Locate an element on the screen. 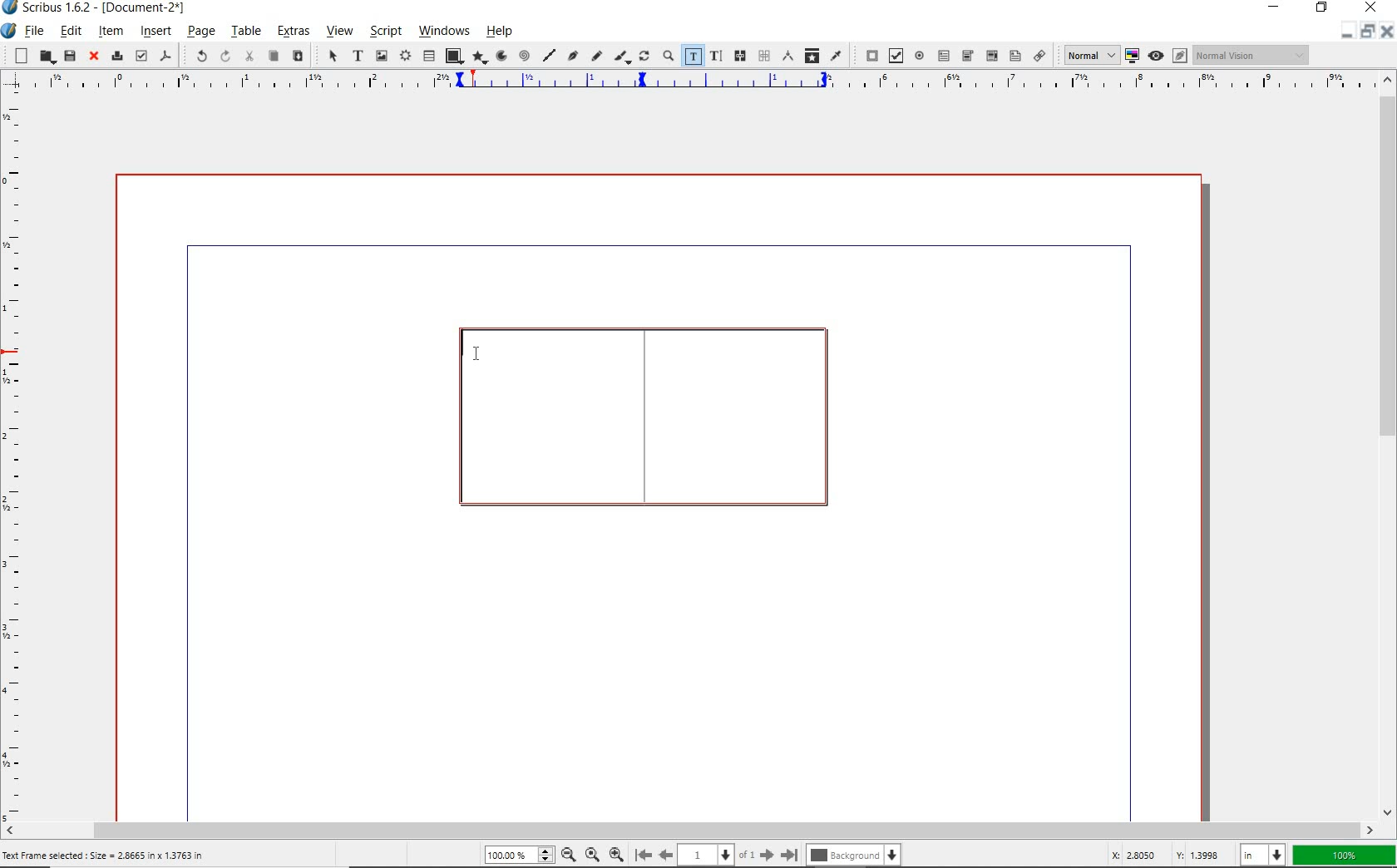 The width and height of the screenshot is (1397, 868). close is located at coordinates (93, 57).